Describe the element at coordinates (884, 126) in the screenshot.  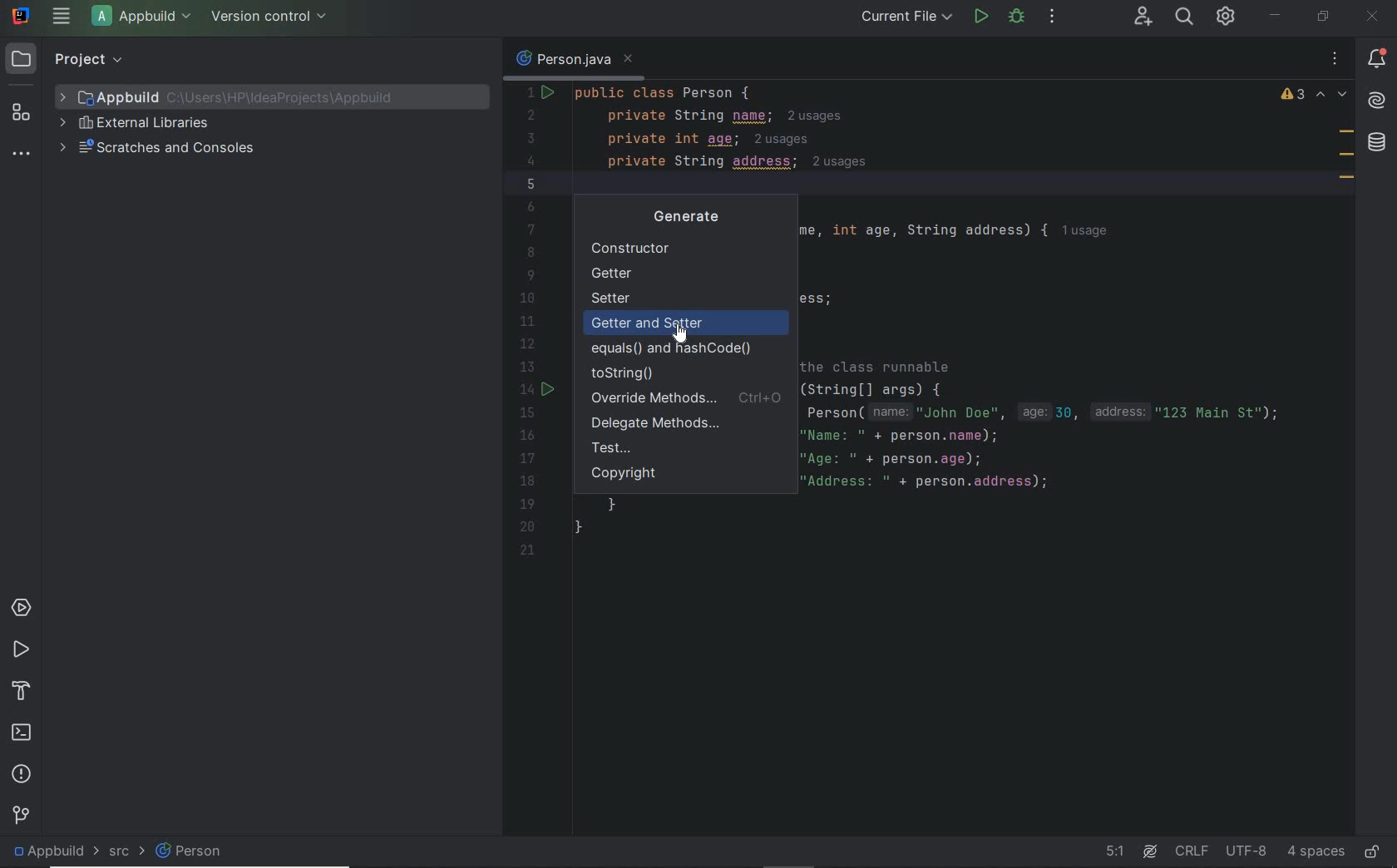
I see `codes` at that location.